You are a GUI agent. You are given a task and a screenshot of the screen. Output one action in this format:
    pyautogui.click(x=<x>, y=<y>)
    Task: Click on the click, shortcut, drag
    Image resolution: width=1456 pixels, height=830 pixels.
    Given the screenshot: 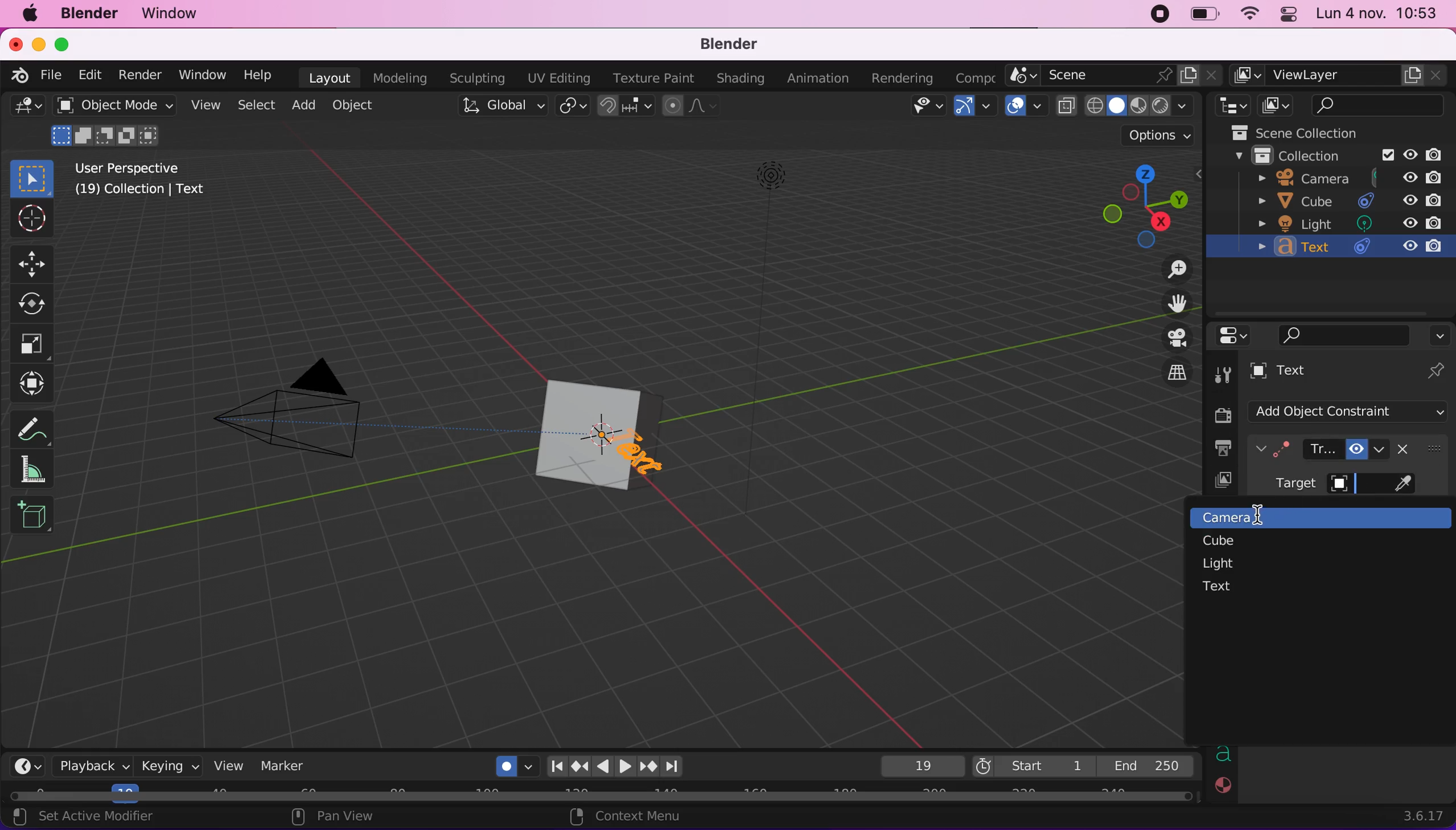 What is the action you would take?
    pyautogui.click(x=1141, y=204)
    